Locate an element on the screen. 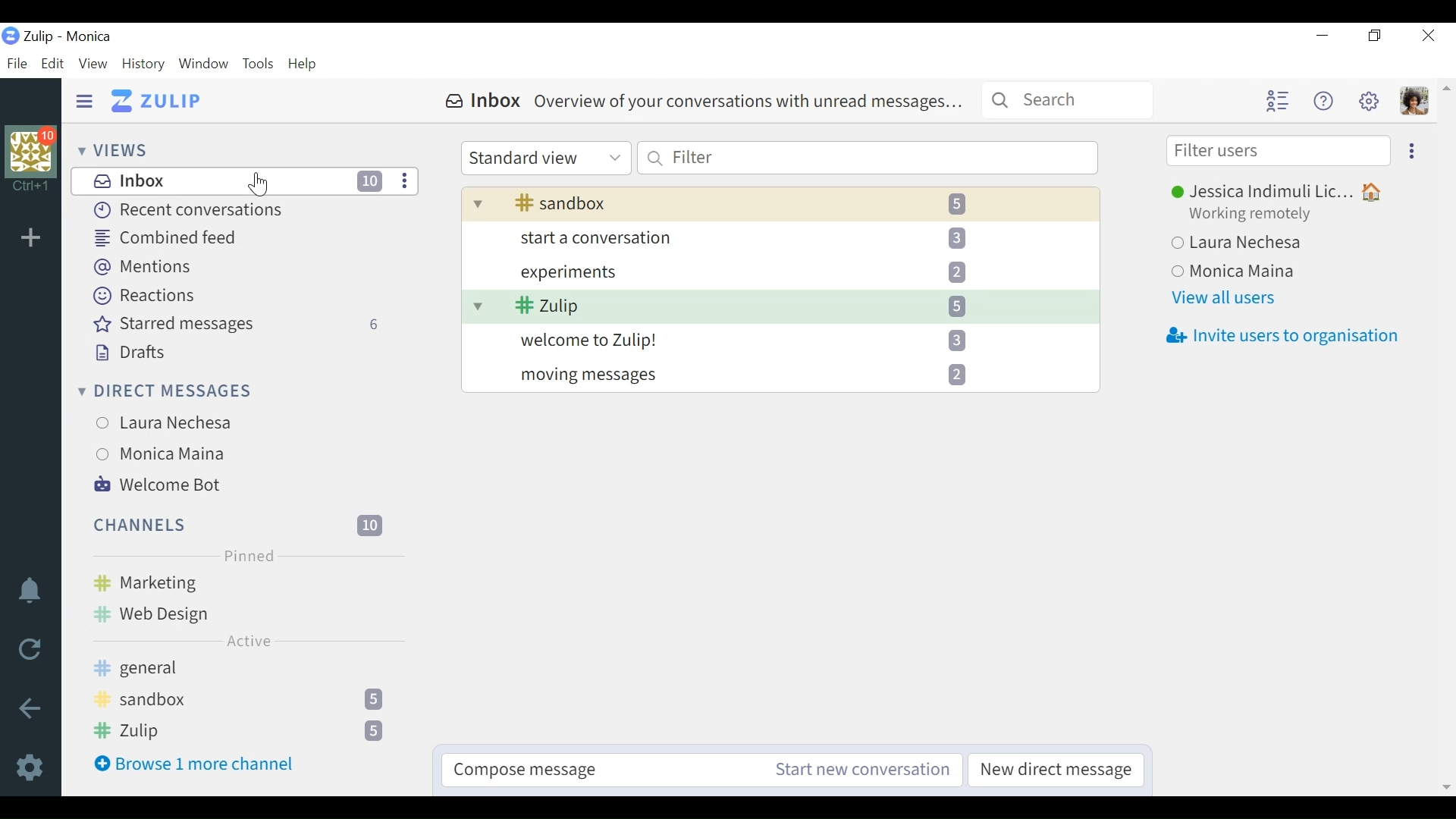 This screenshot has height=819, width=1456. Close is located at coordinates (1428, 36).